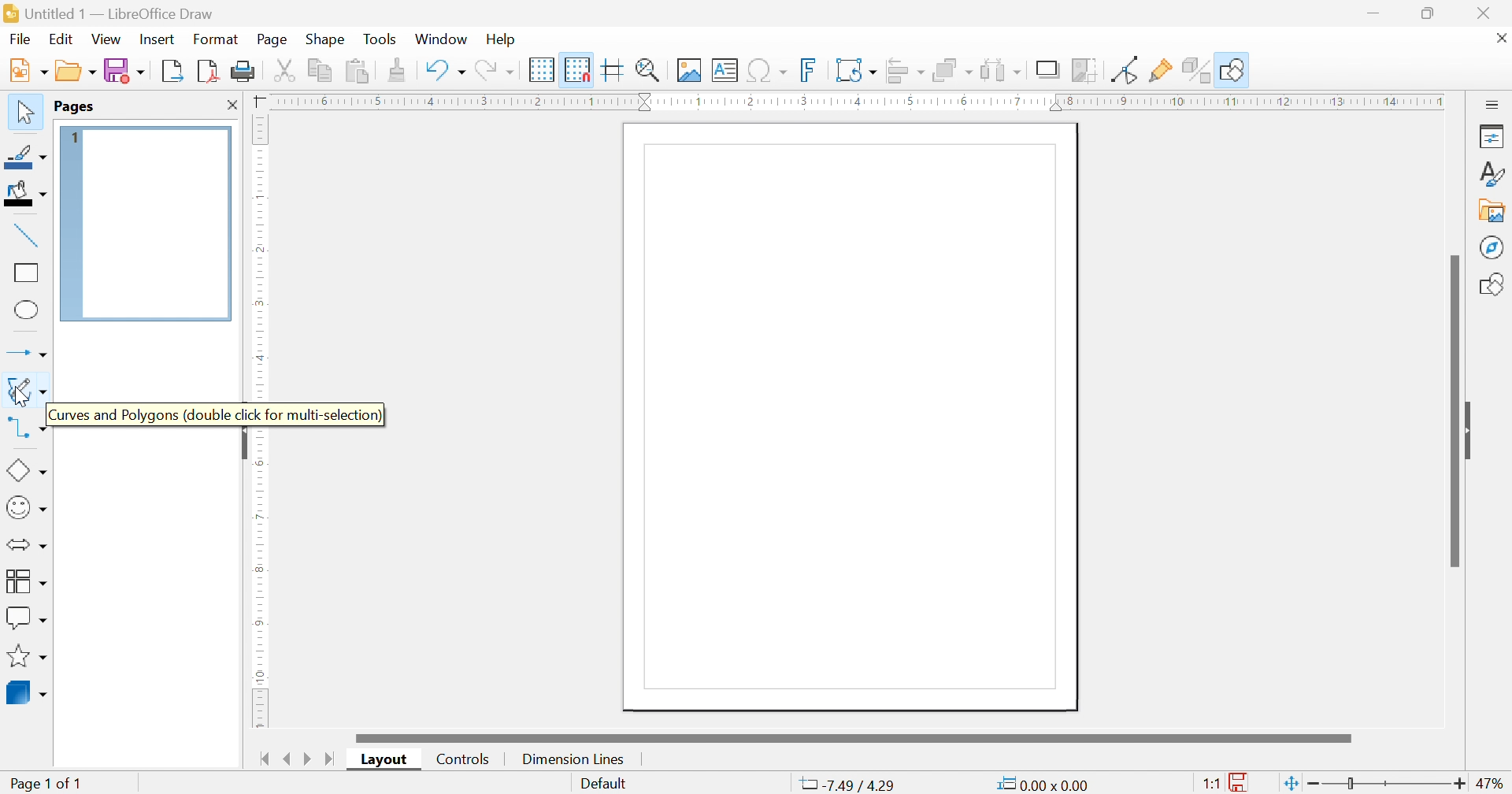 This screenshot has height=794, width=1512. Describe the element at coordinates (953, 70) in the screenshot. I see `arrange` at that location.